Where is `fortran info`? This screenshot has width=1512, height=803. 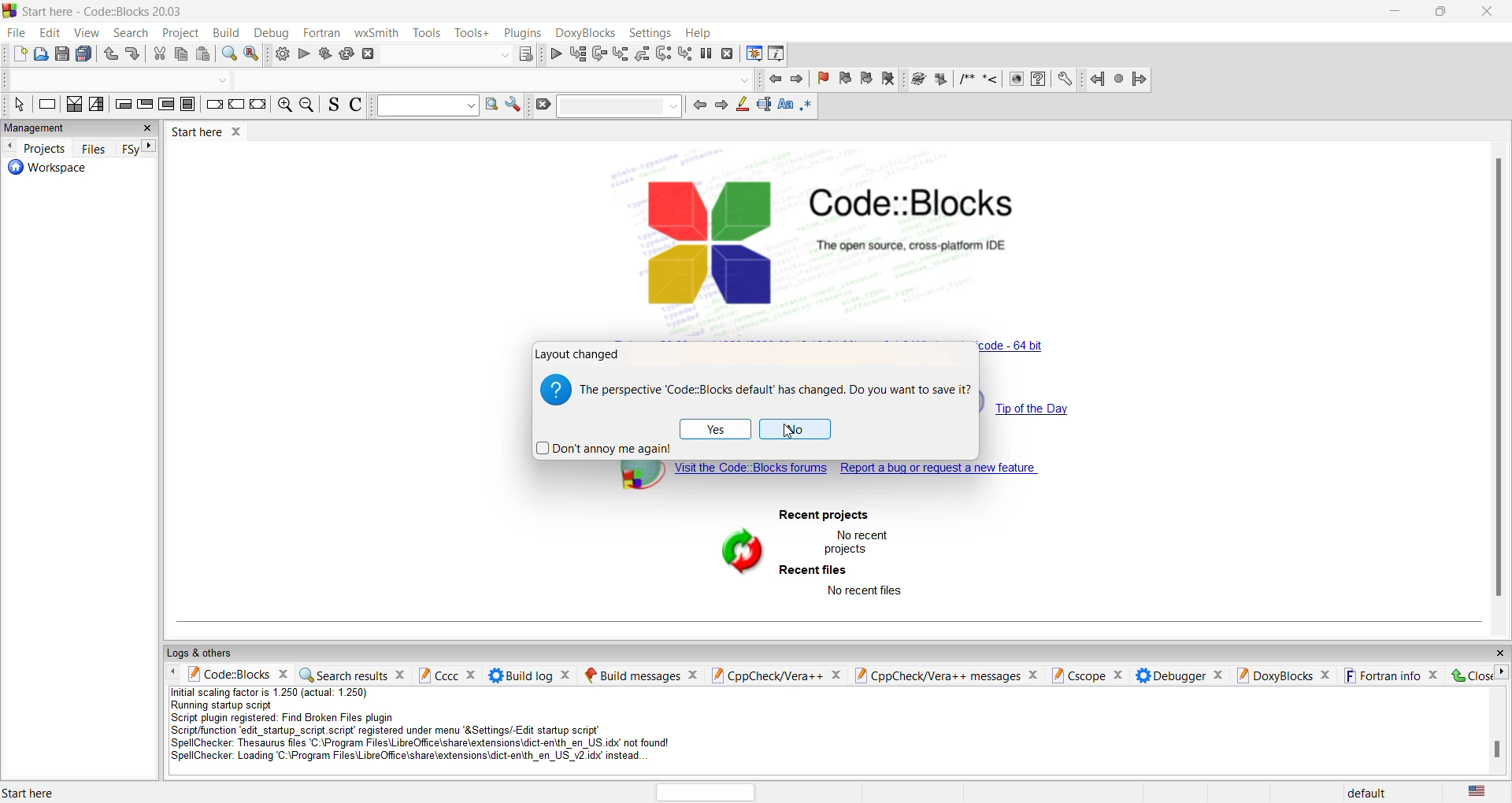 fortran info is located at coordinates (1391, 675).